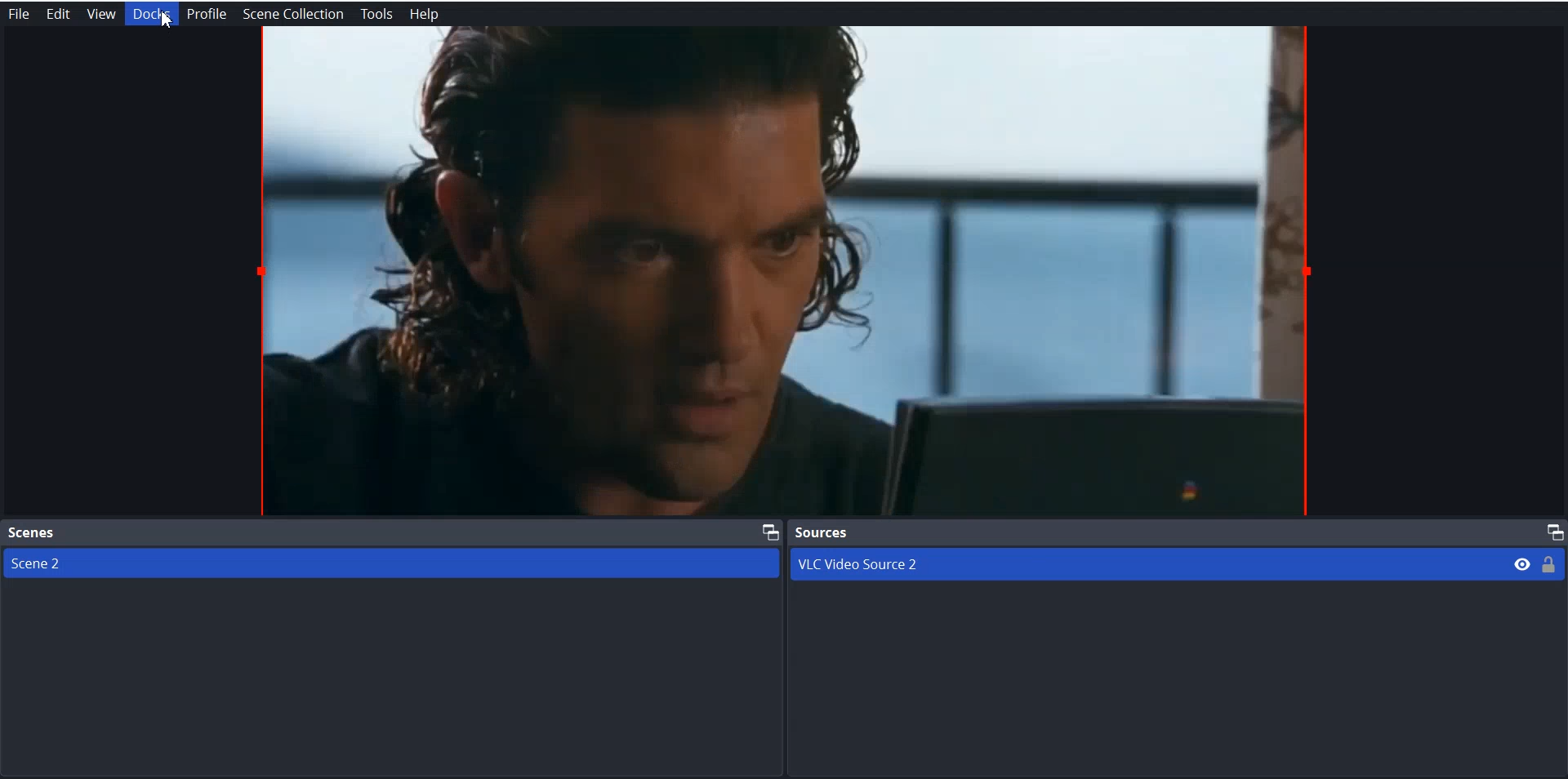  I want to click on Edit, so click(57, 14).